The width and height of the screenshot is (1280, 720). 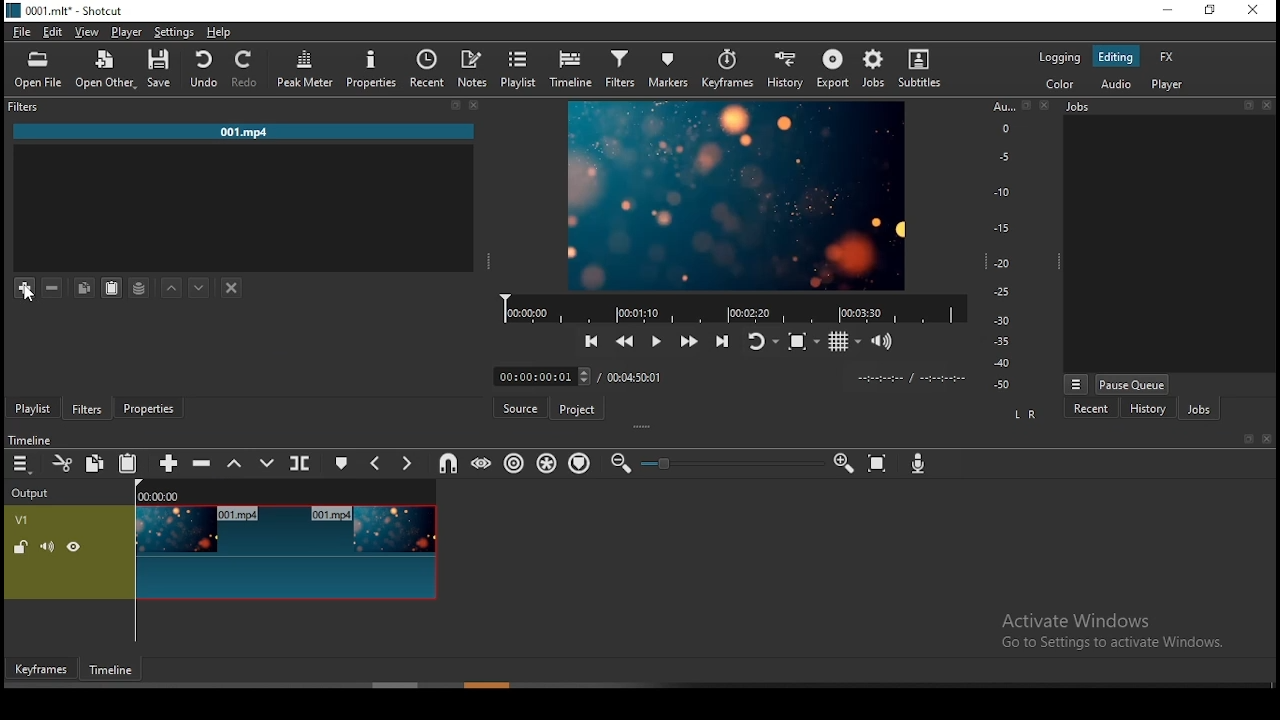 What do you see at coordinates (737, 192) in the screenshot?
I see `preview` at bounding box center [737, 192].